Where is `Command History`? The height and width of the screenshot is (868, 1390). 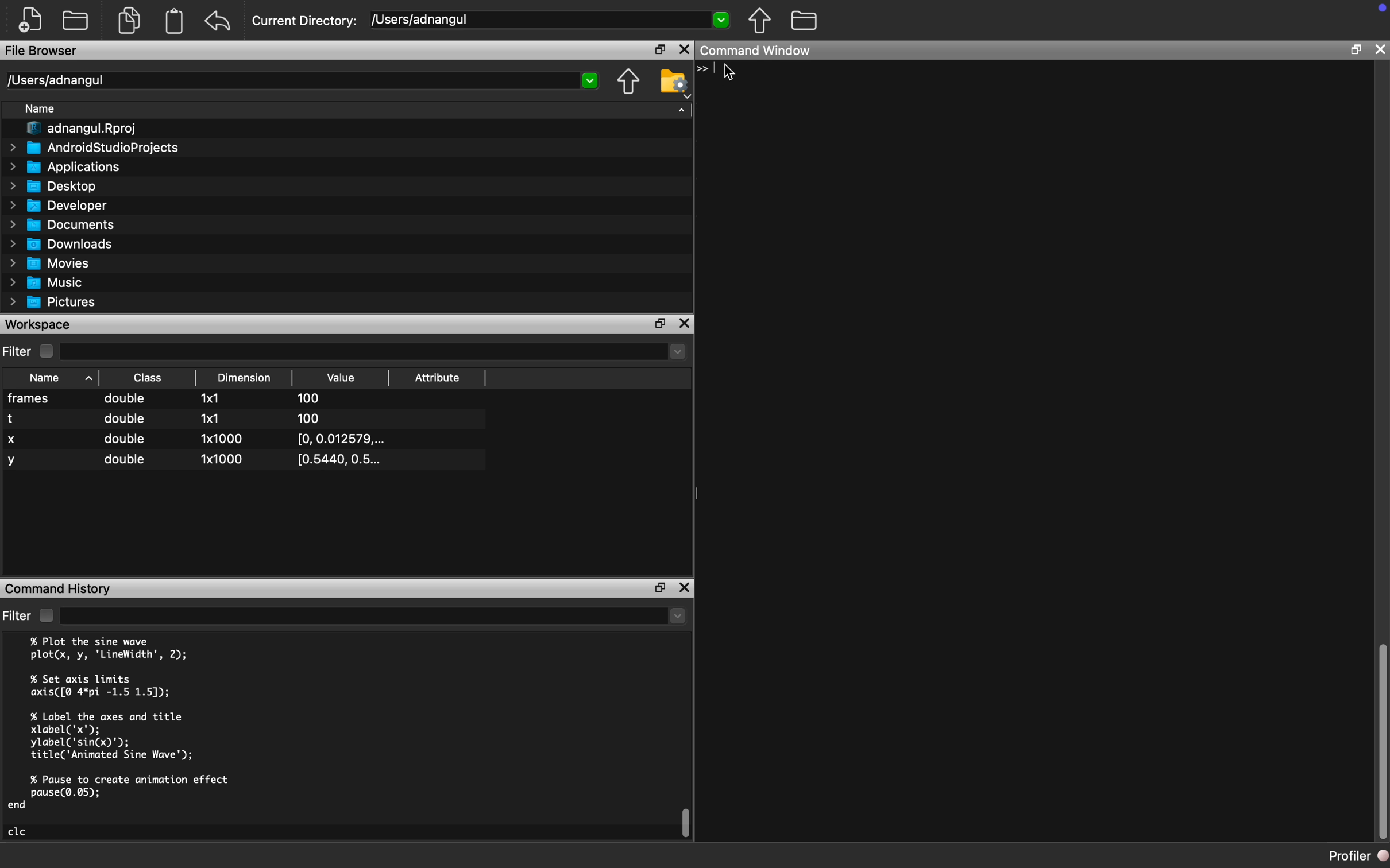
Command History is located at coordinates (60, 588).